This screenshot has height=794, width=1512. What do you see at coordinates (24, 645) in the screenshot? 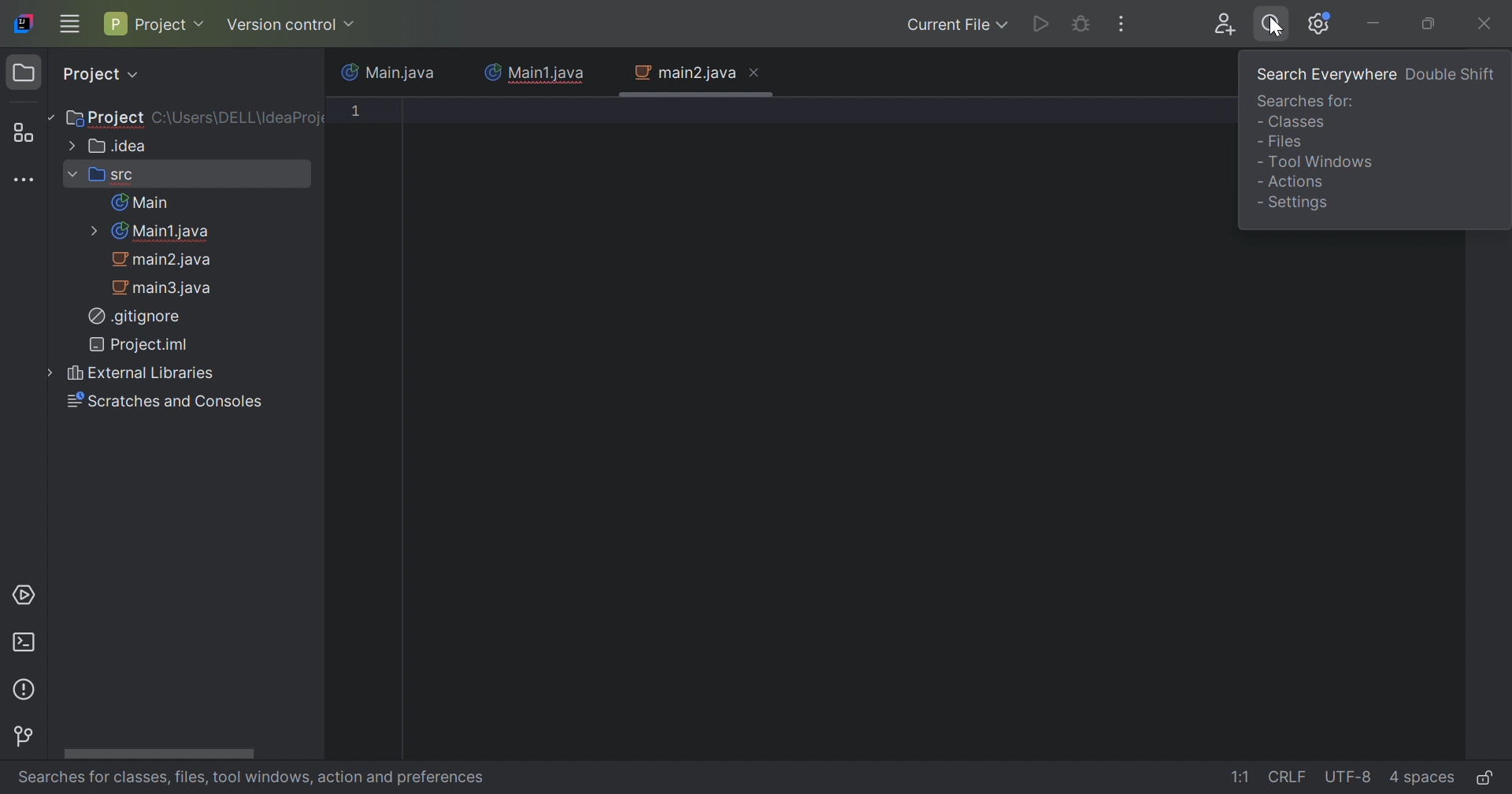
I see `Terminal` at bounding box center [24, 645].